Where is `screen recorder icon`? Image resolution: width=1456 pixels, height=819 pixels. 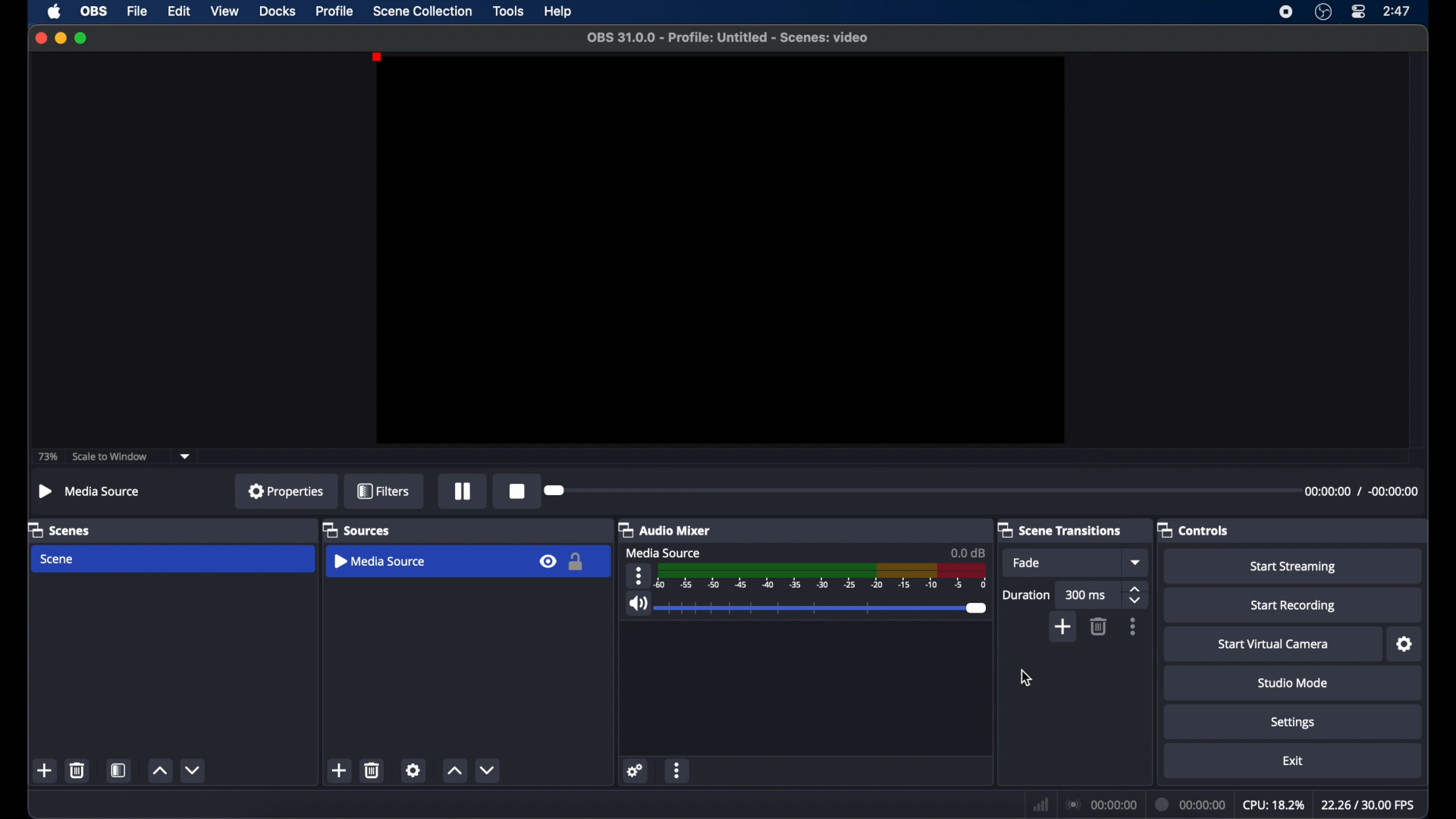
screen recorder icon is located at coordinates (1286, 12).